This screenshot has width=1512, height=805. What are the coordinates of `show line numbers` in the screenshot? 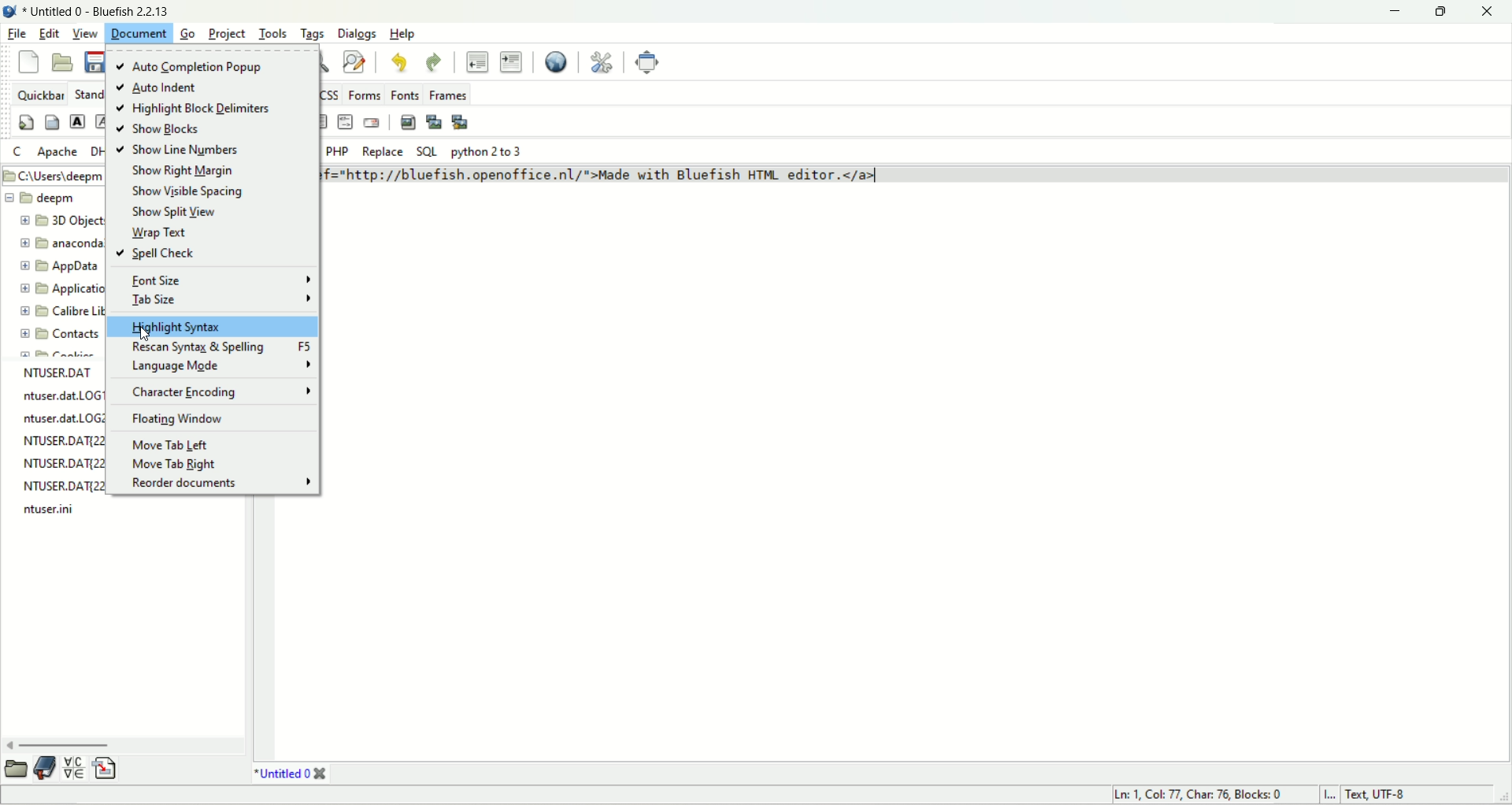 It's located at (184, 151).